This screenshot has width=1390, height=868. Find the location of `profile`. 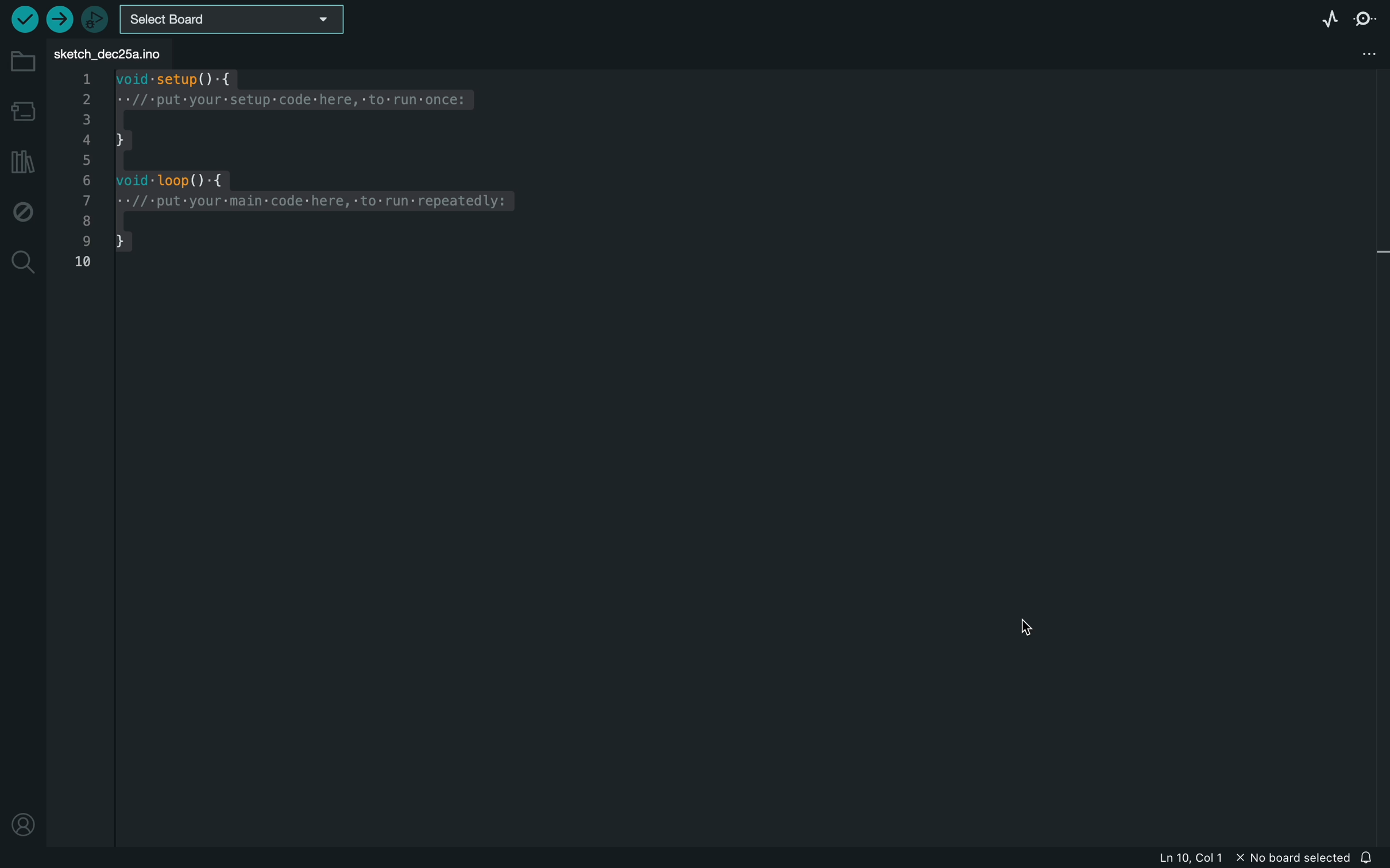

profile is located at coordinates (24, 823).